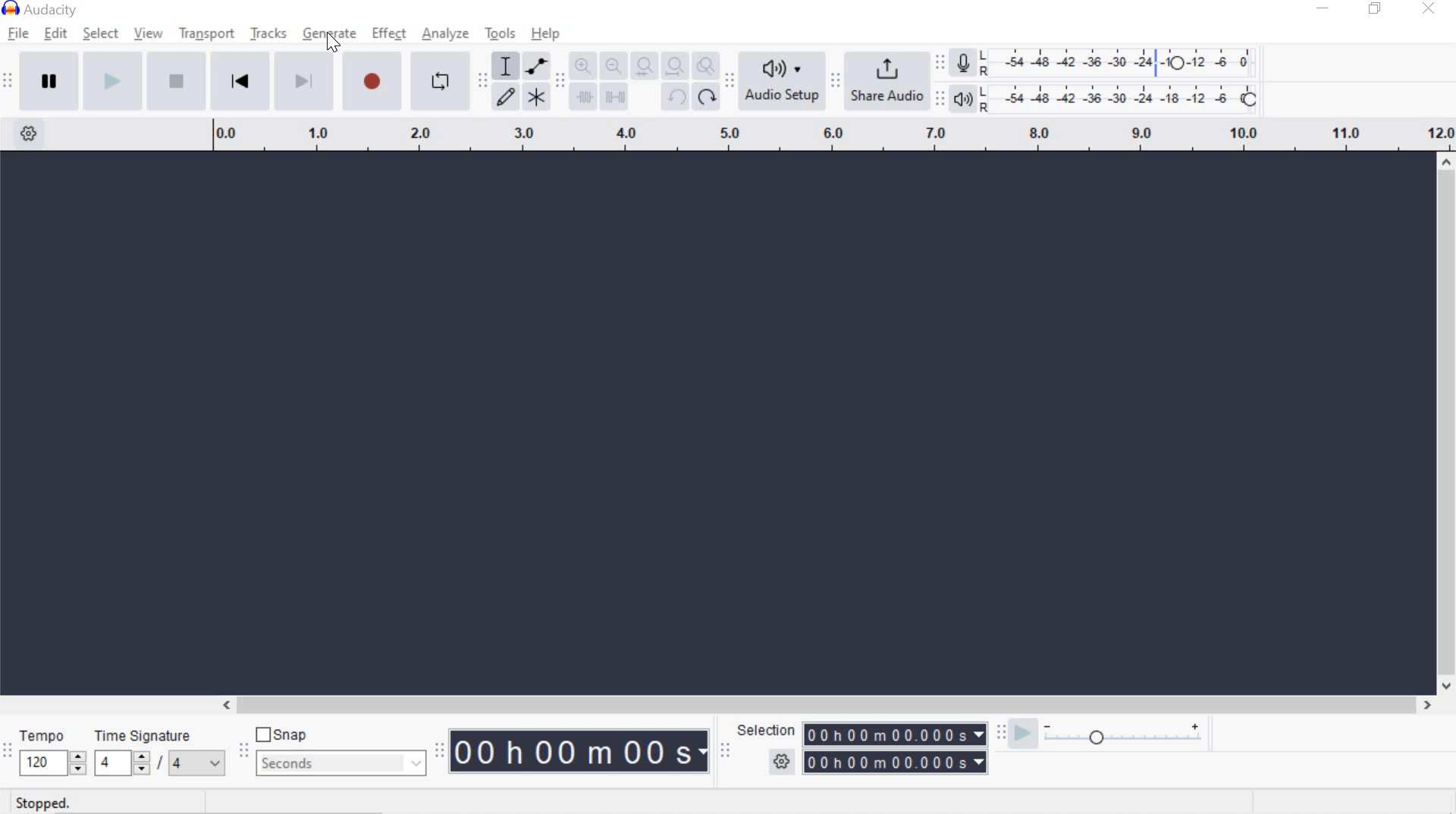 Image resolution: width=1456 pixels, height=814 pixels. Describe the element at coordinates (642, 68) in the screenshot. I see `Fit selection to width` at that location.